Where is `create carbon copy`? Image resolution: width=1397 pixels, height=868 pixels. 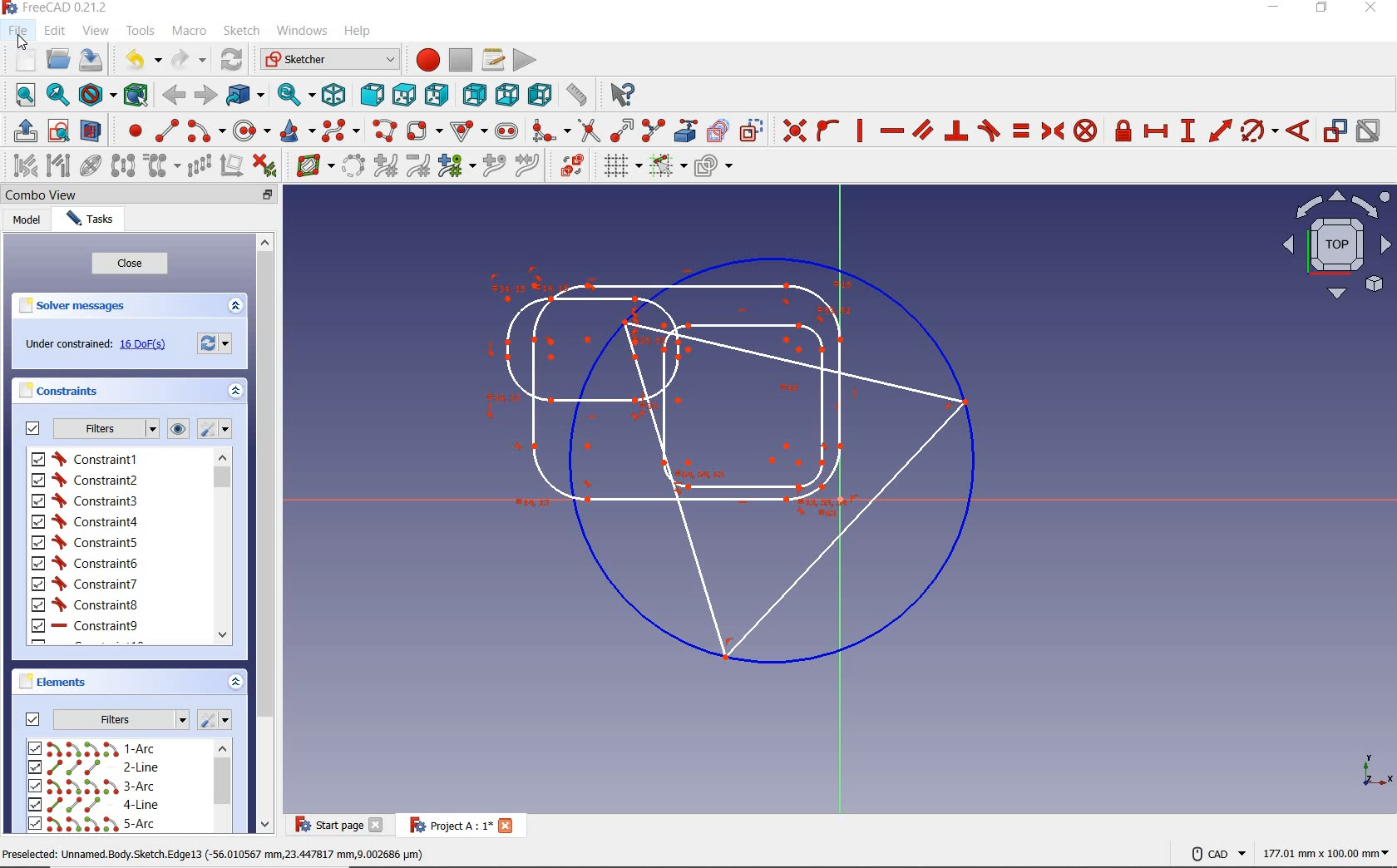
create carbon copy is located at coordinates (718, 131).